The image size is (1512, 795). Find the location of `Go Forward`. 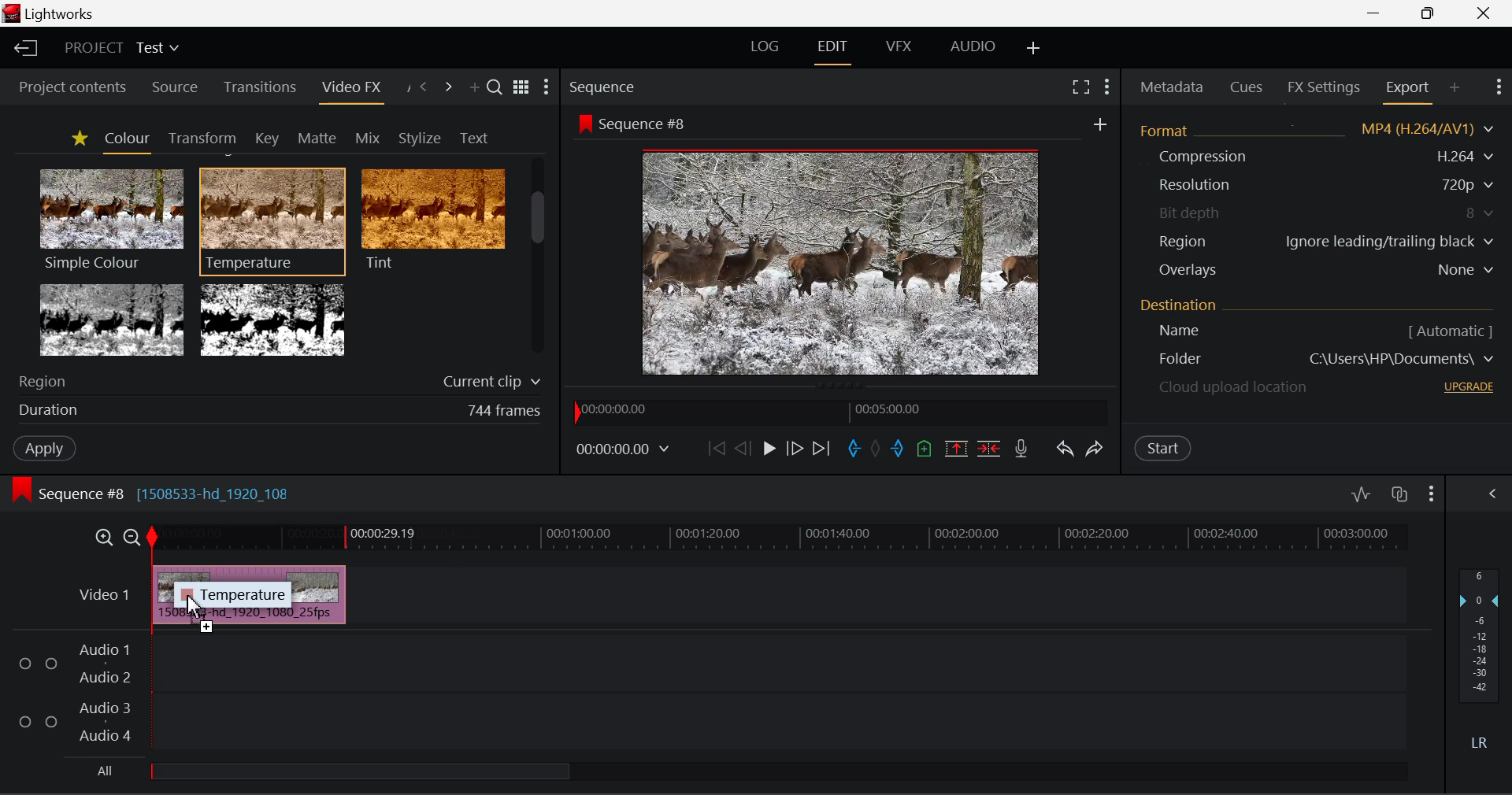

Go Forward is located at coordinates (794, 449).